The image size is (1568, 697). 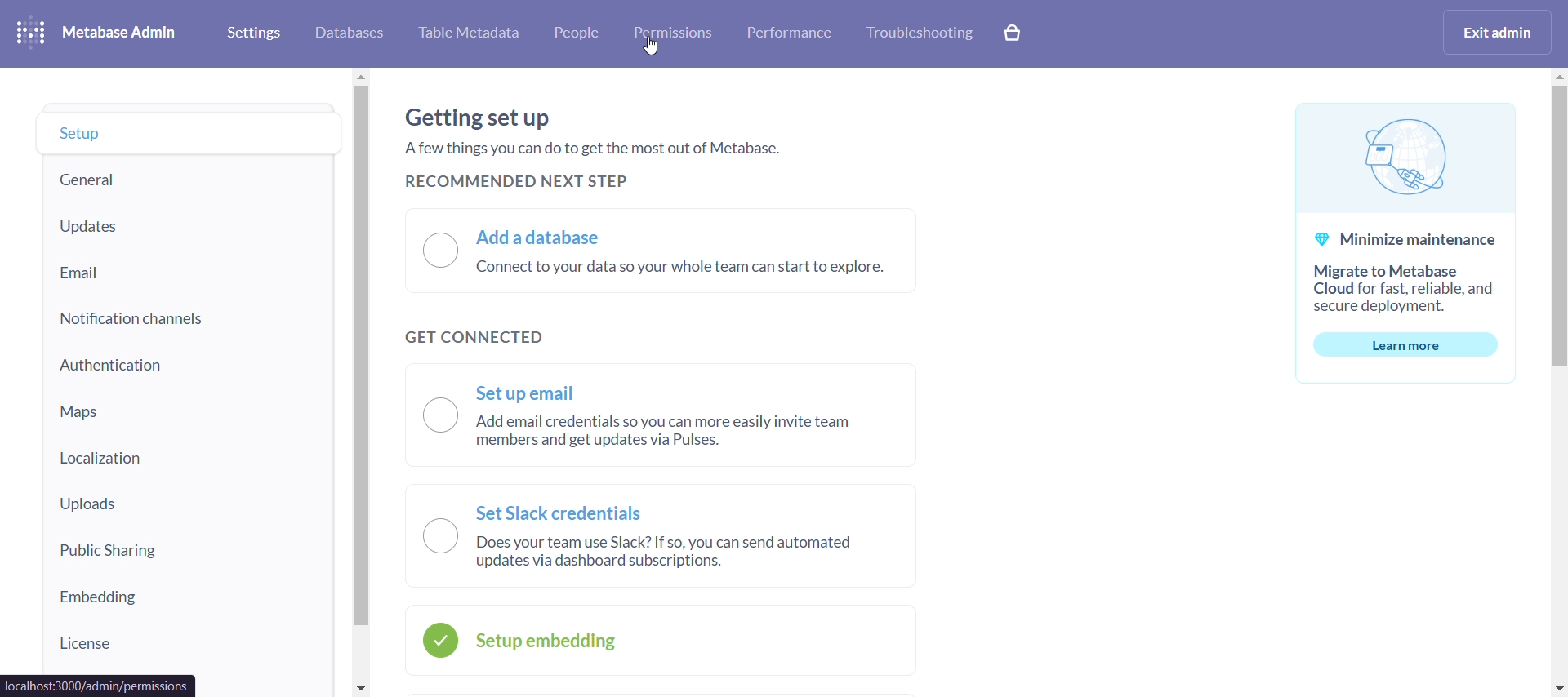 I want to click on setup embedding, so click(x=665, y=641).